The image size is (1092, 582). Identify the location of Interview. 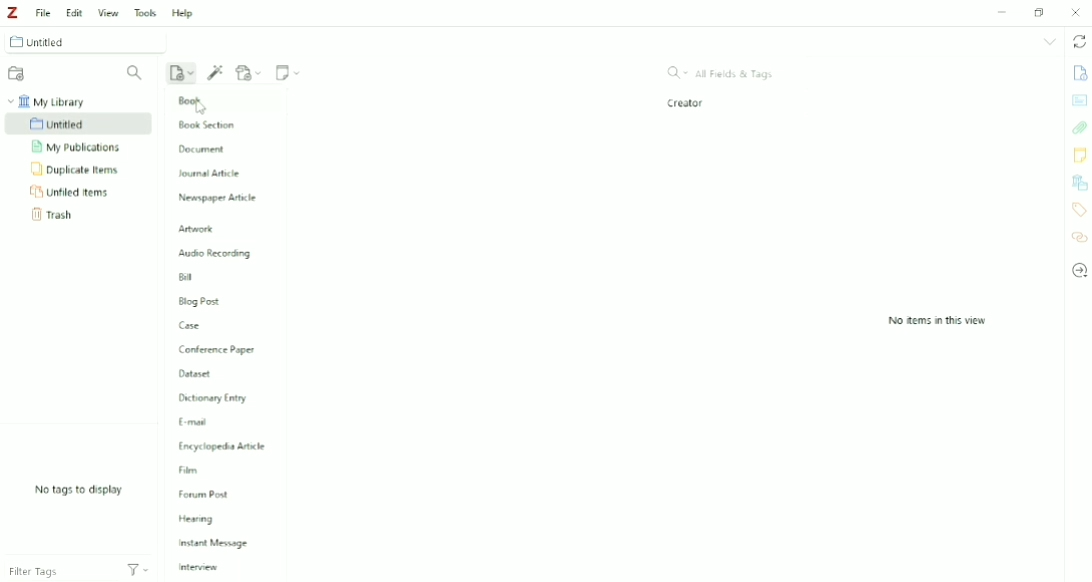
(206, 568).